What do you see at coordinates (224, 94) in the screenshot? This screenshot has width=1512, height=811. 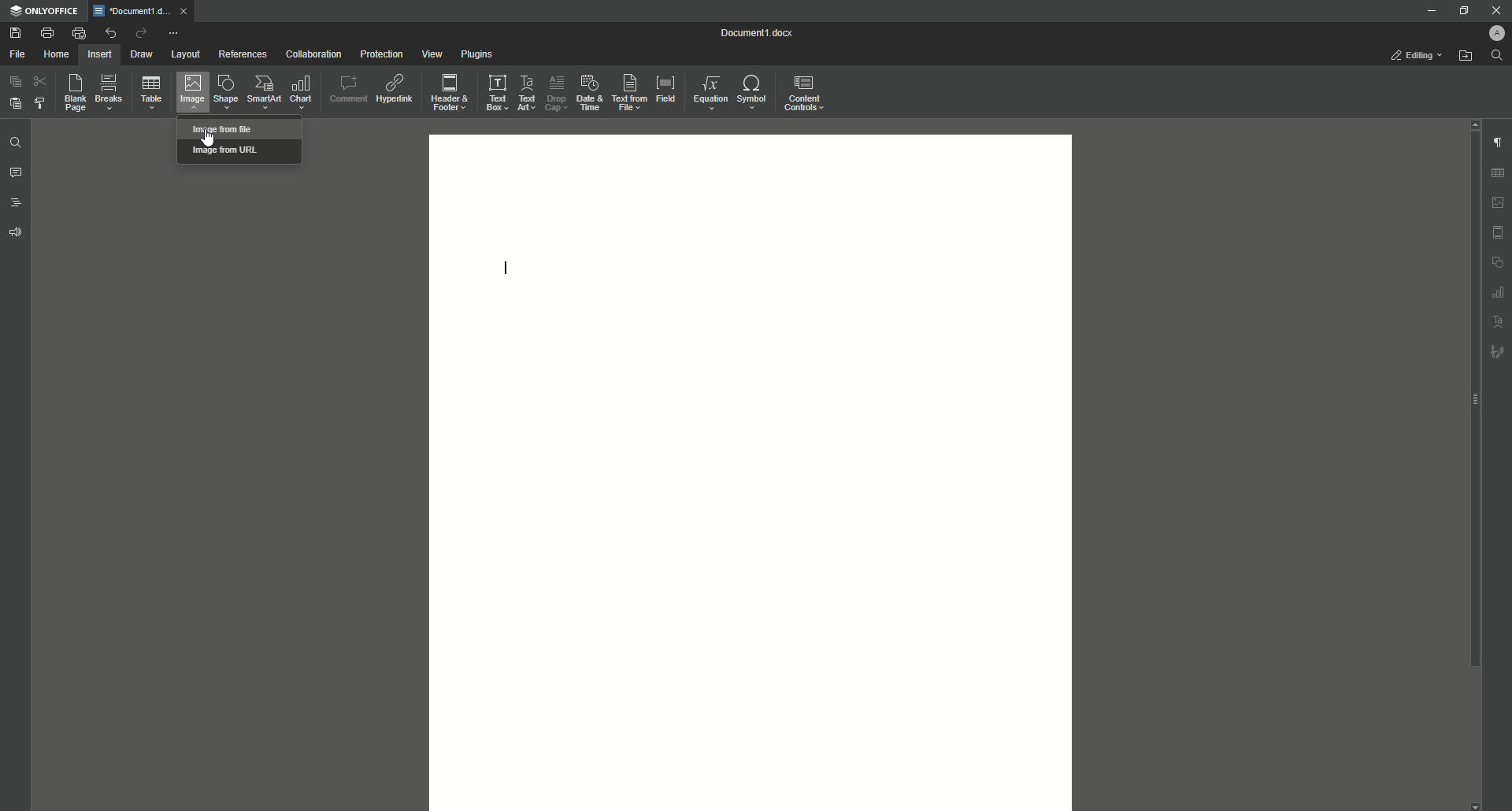 I see `Shape` at bounding box center [224, 94].